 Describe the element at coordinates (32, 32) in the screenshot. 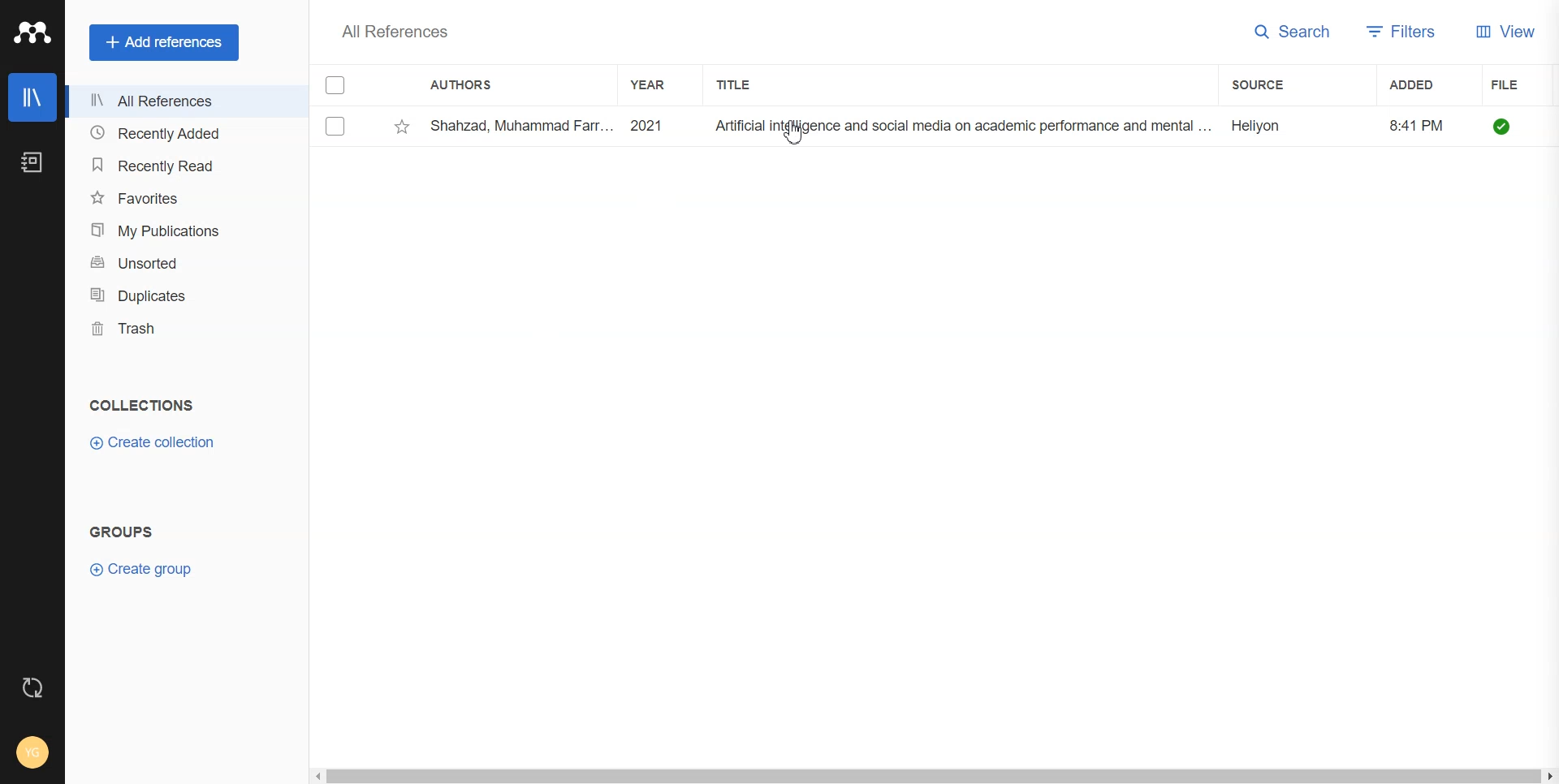

I see `Logo` at that location.